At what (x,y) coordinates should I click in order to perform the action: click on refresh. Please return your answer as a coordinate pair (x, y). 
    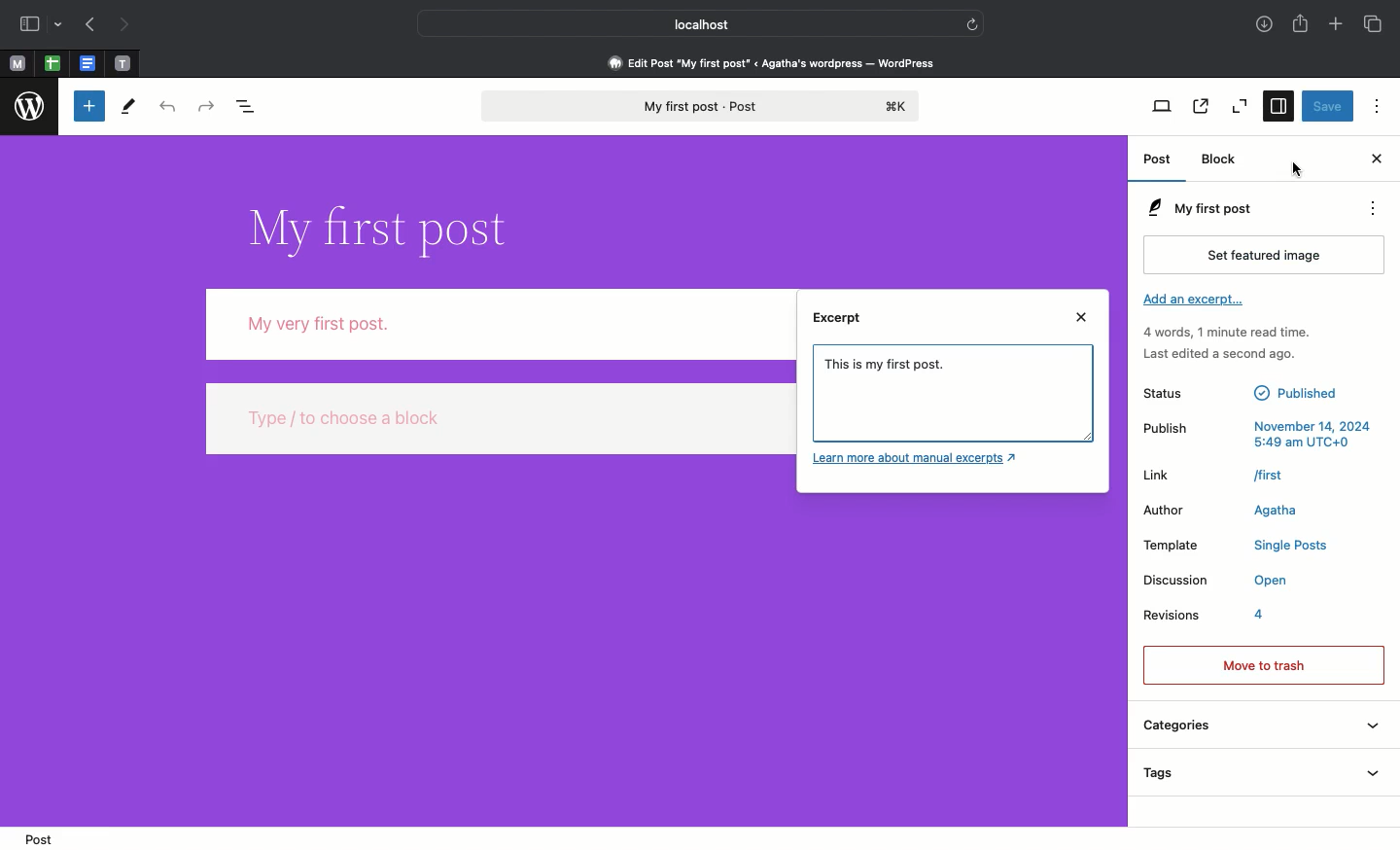
    Looking at the image, I should click on (975, 21).